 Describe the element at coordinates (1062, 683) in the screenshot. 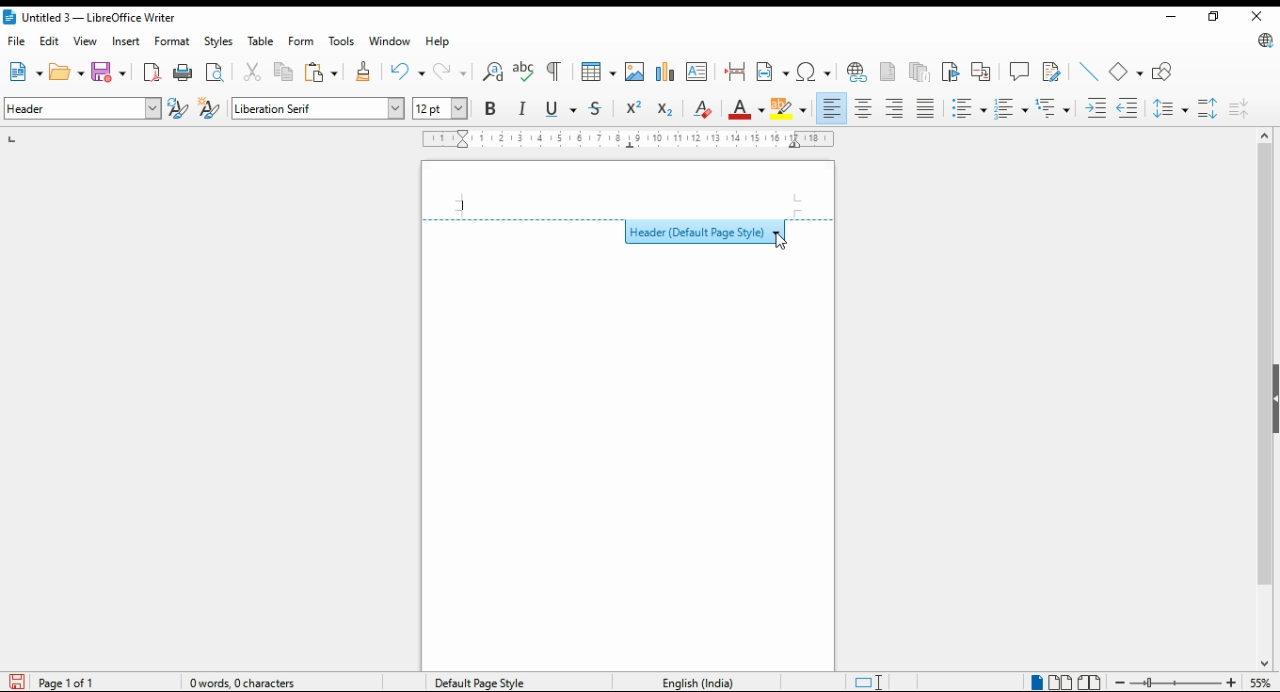

I see `multipage view` at that location.